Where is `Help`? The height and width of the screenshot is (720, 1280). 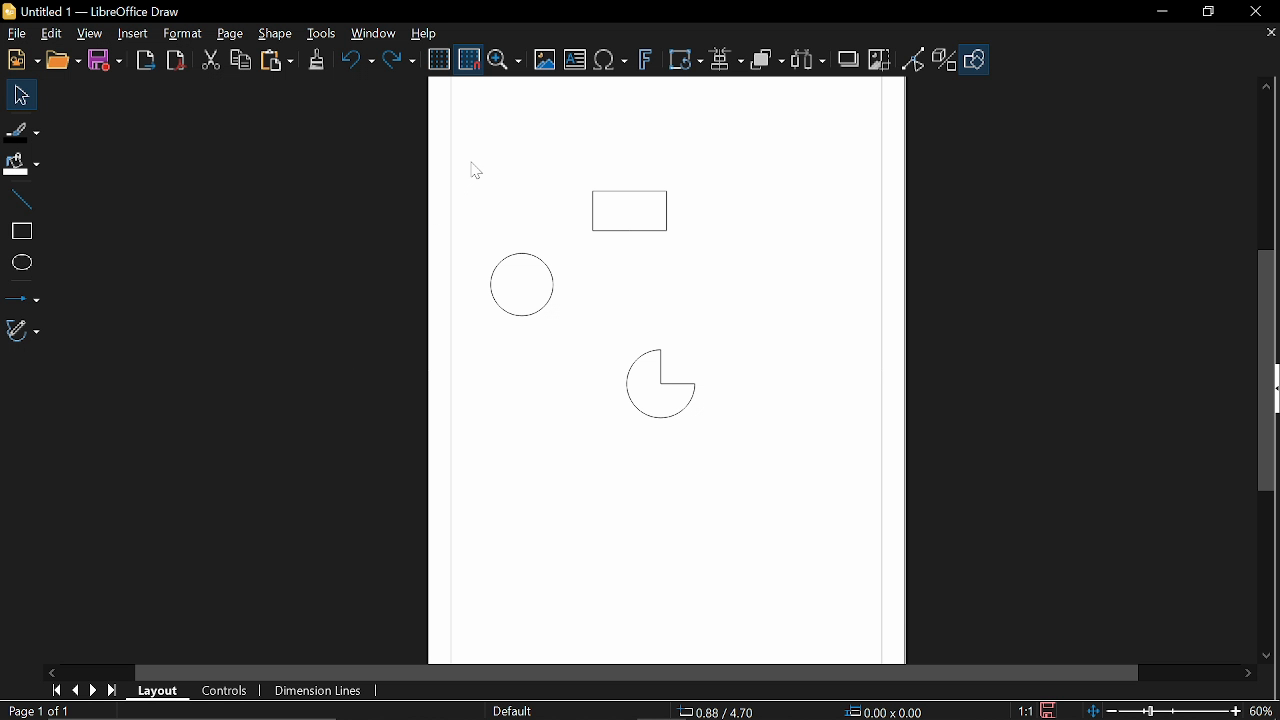 Help is located at coordinates (421, 34).